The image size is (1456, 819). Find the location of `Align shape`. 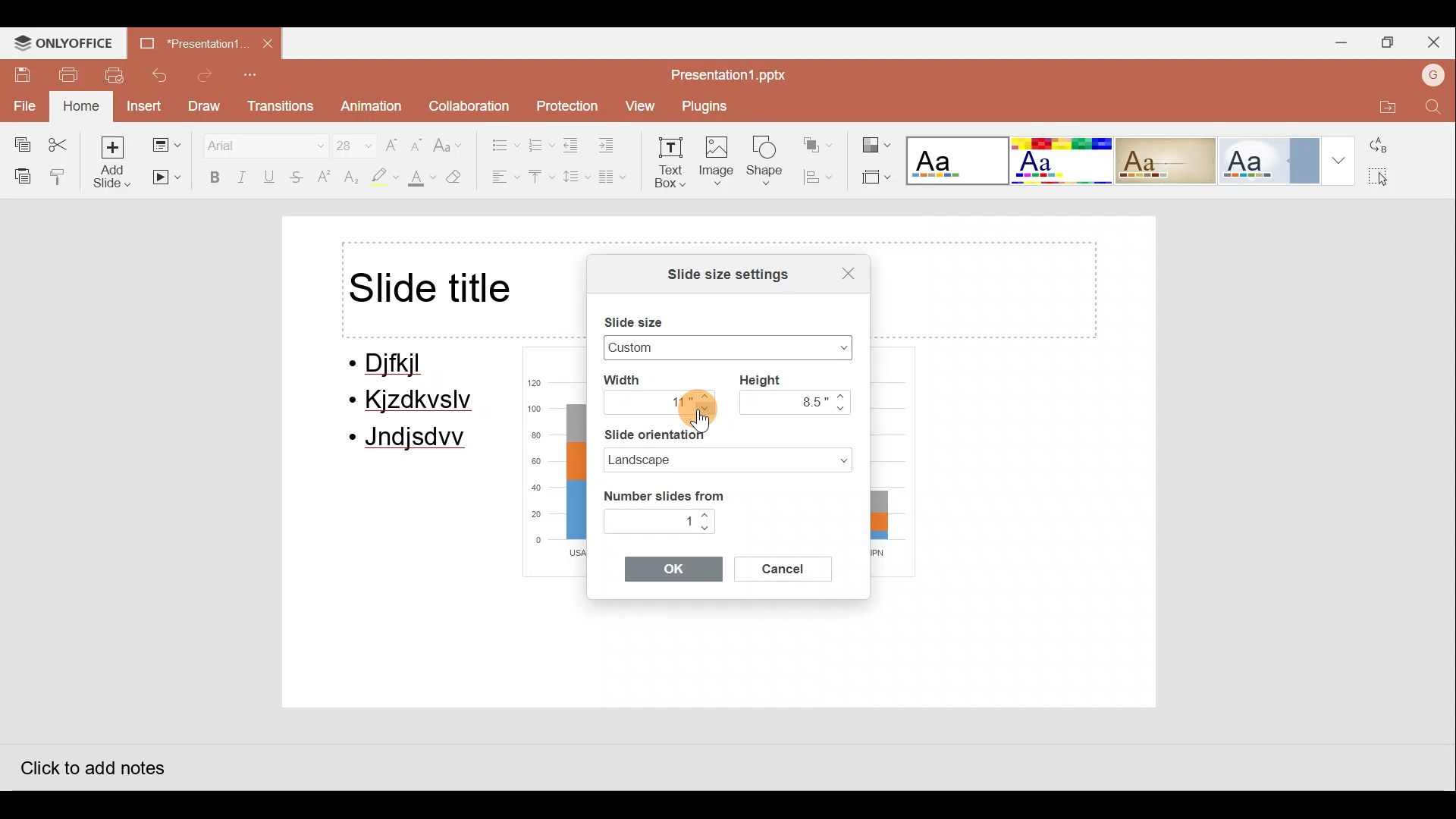

Align shape is located at coordinates (822, 177).